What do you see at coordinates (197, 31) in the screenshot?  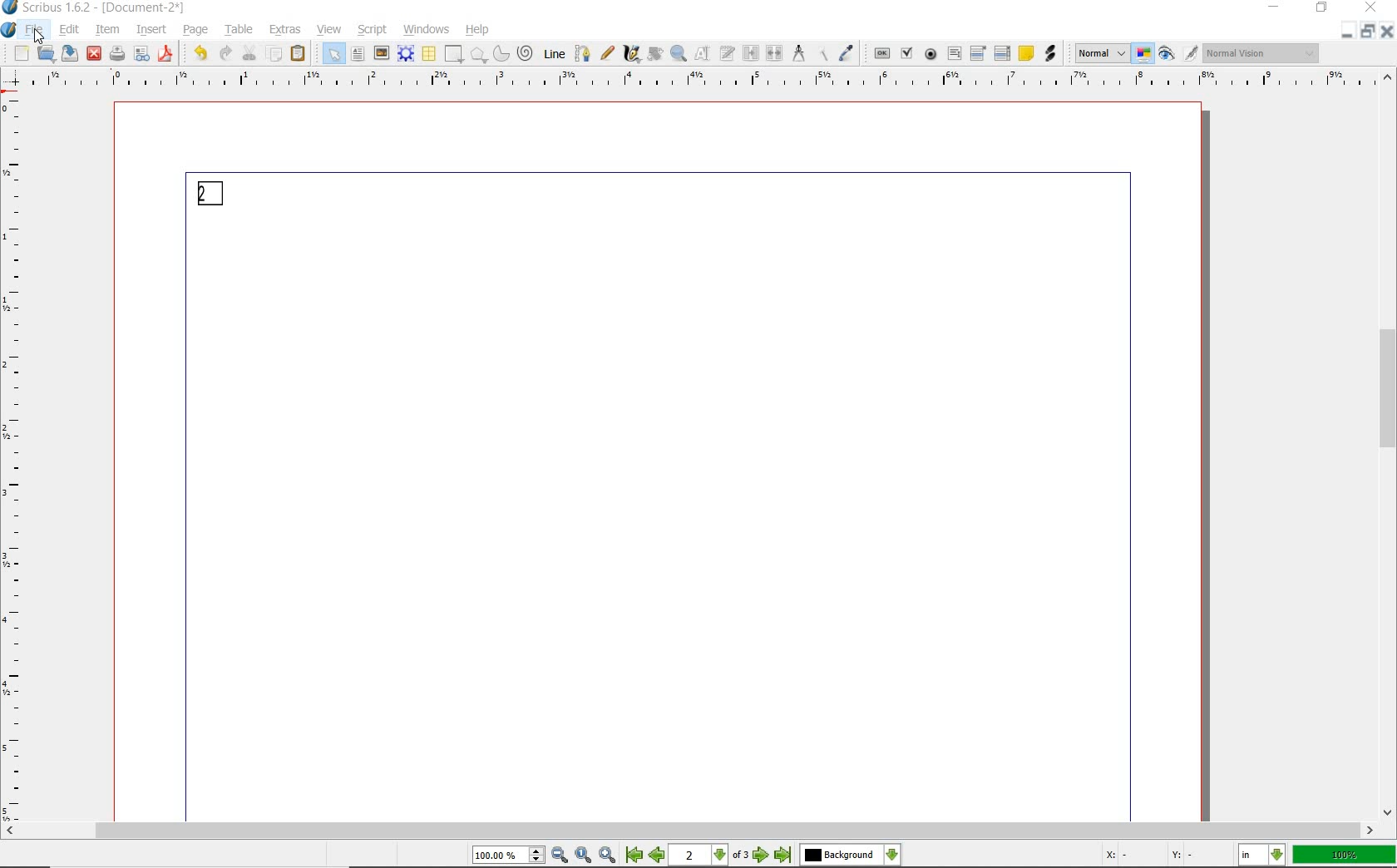 I see `page` at bounding box center [197, 31].